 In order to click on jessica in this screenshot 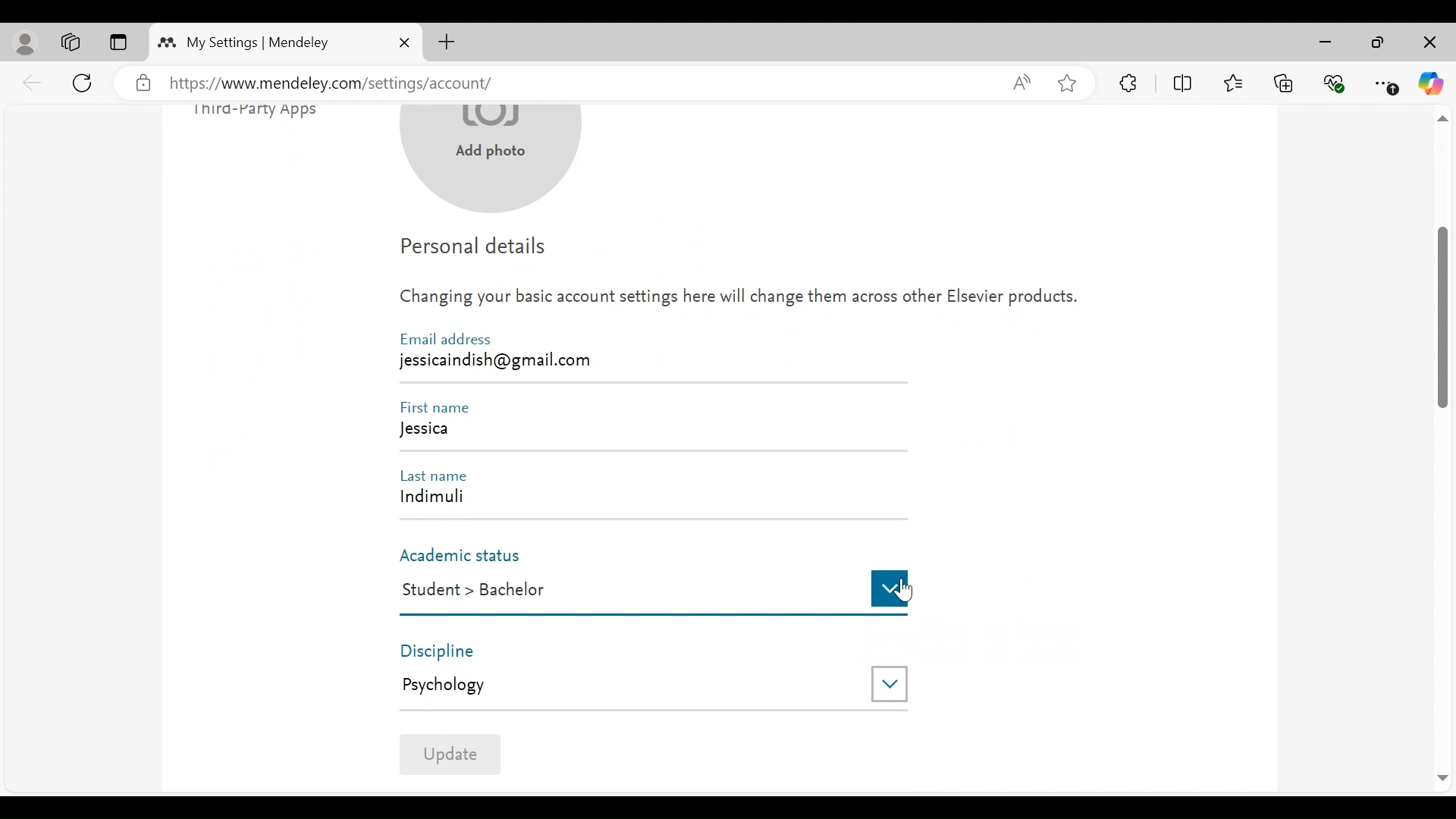, I will do `click(650, 432)`.